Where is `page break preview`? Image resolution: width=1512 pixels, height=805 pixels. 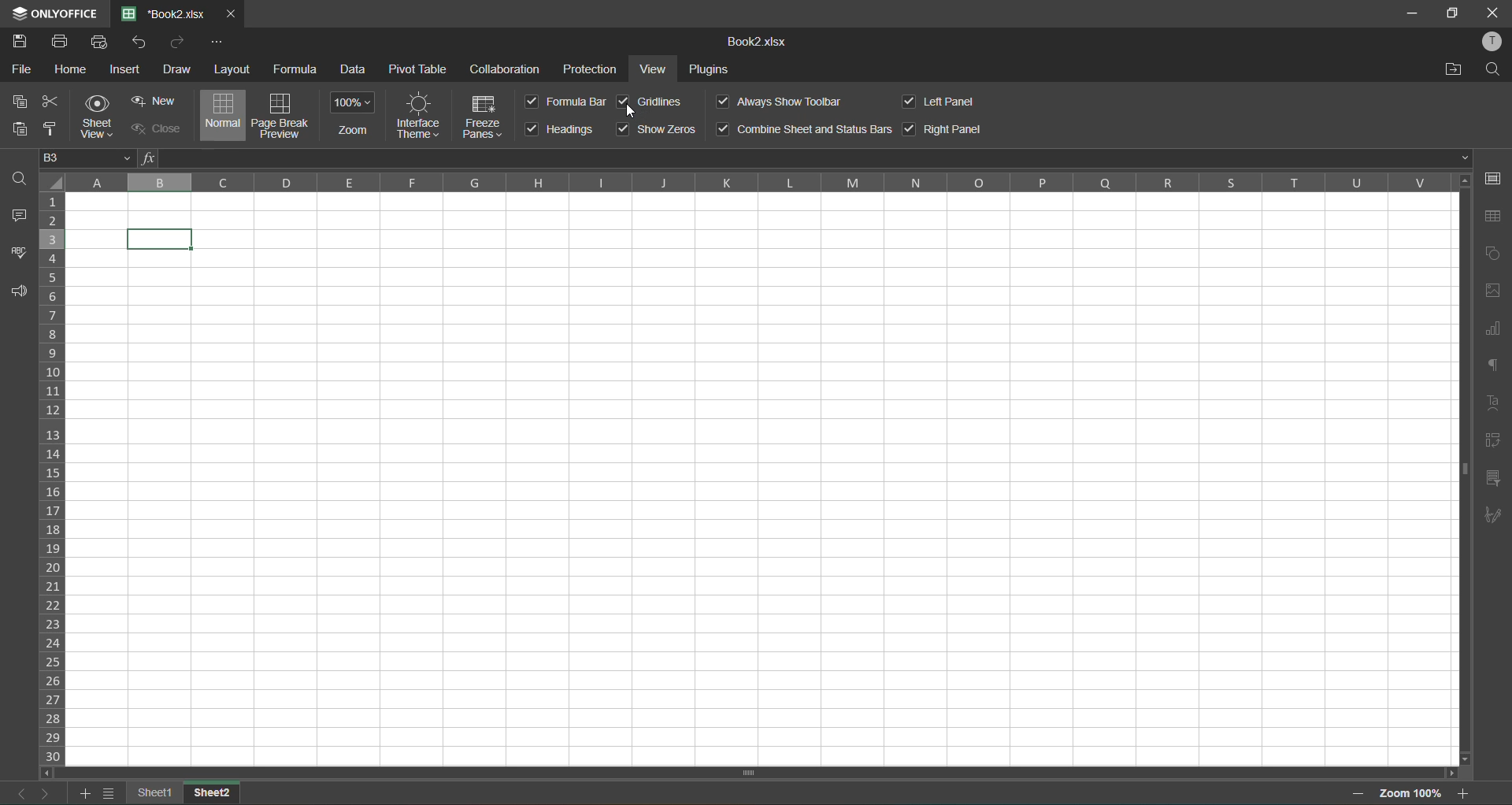
page break preview is located at coordinates (281, 116).